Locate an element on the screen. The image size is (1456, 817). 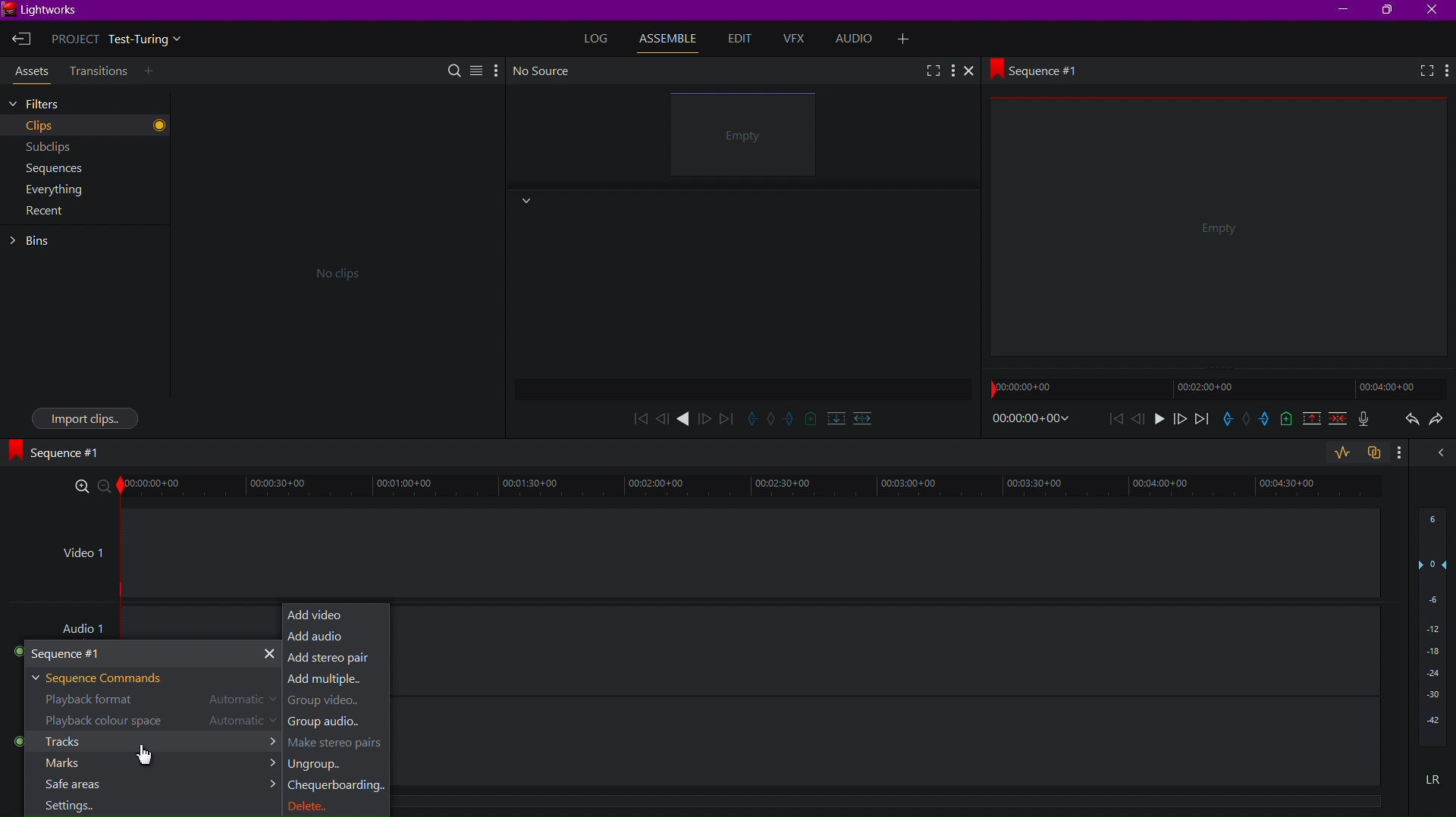
Group video is located at coordinates (328, 703).